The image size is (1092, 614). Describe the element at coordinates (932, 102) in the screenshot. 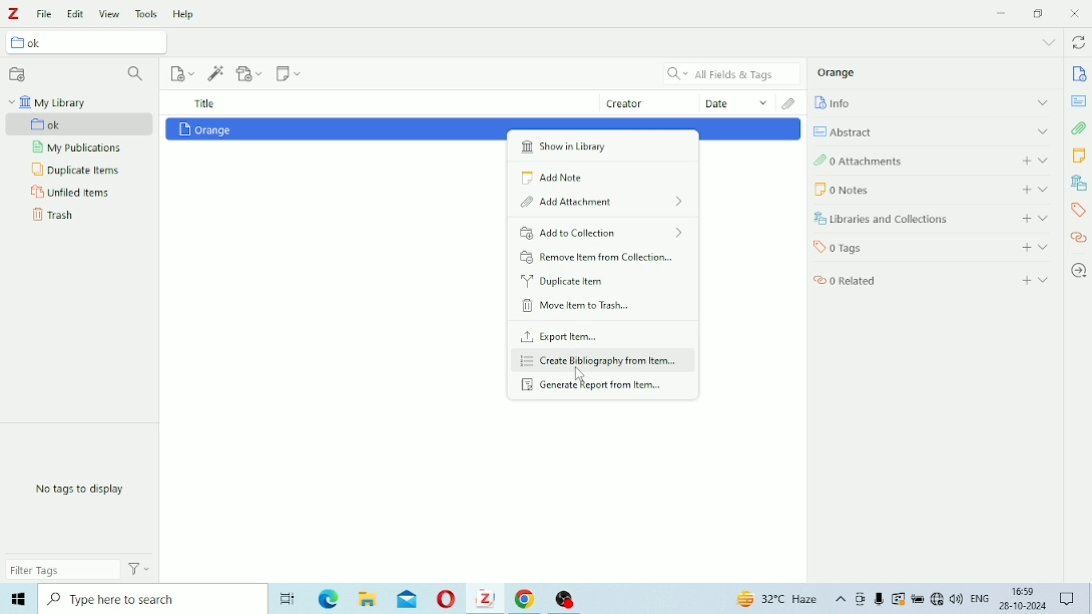

I see `Info` at that location.